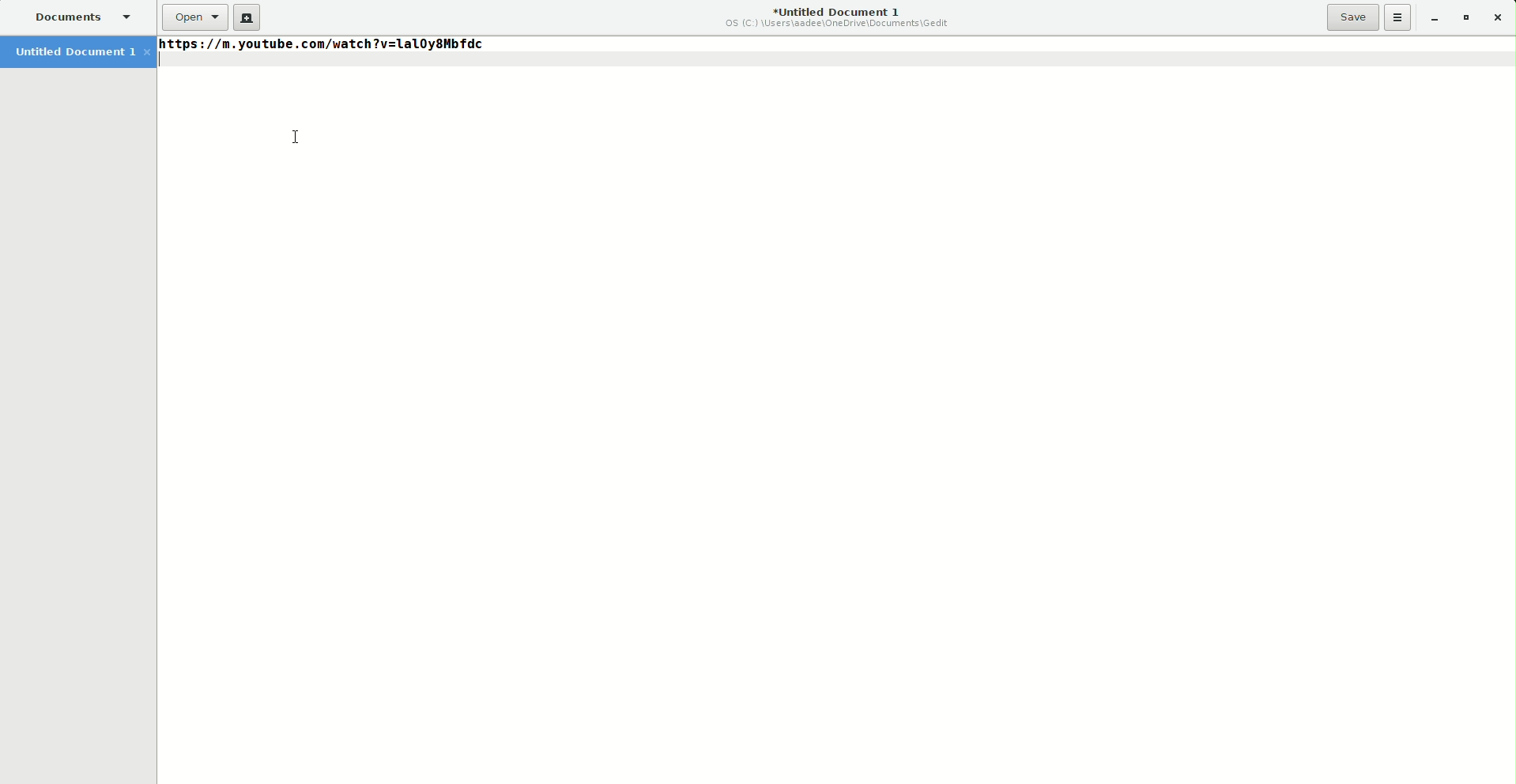  Describe the element at coordinates (1353, 17) in the screenshot. I see `Save` at that location.